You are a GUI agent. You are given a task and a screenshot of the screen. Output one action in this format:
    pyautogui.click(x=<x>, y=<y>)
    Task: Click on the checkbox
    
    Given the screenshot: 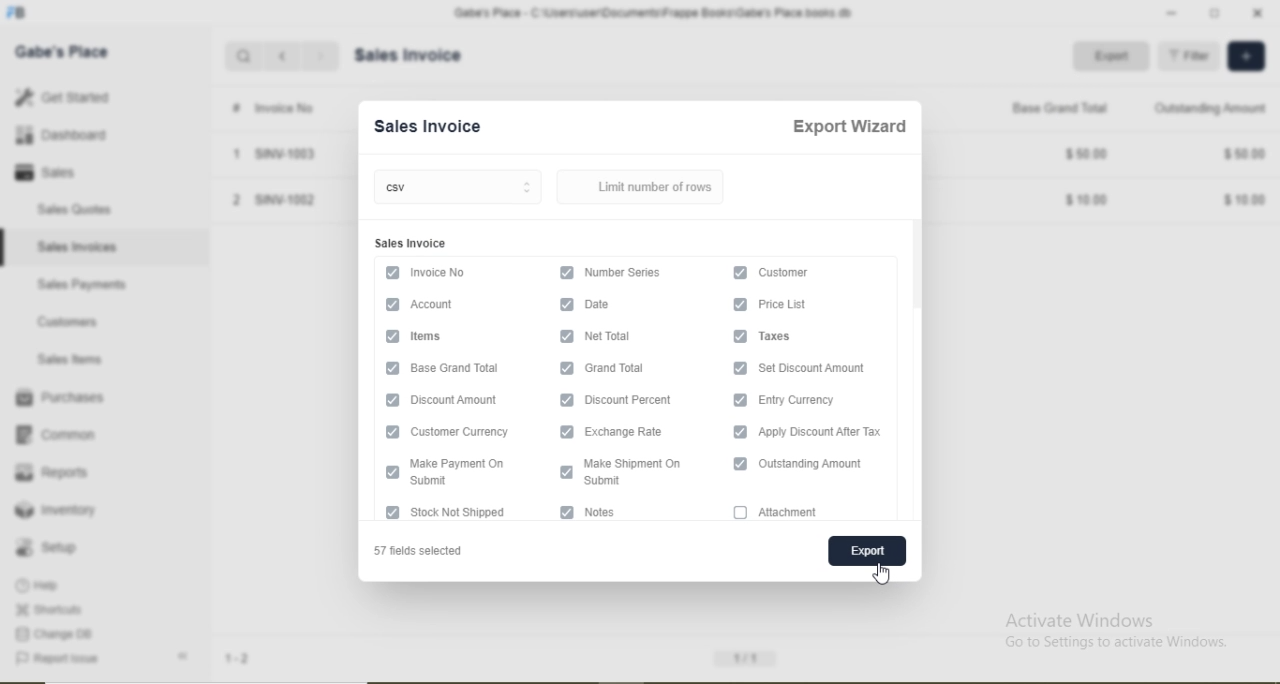 What is the action you would take?
    pyautogui.click(x=390, y=513)
    